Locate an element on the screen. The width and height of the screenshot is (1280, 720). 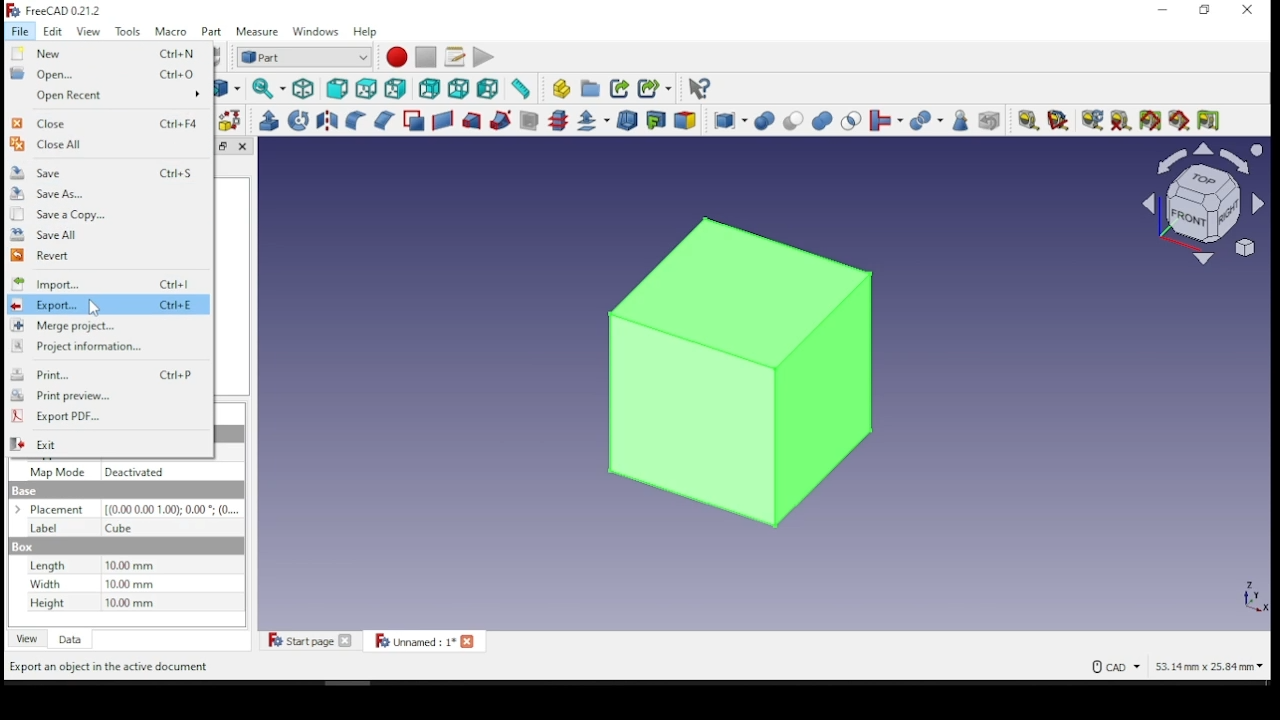
section is located at coordinates (530, 121).